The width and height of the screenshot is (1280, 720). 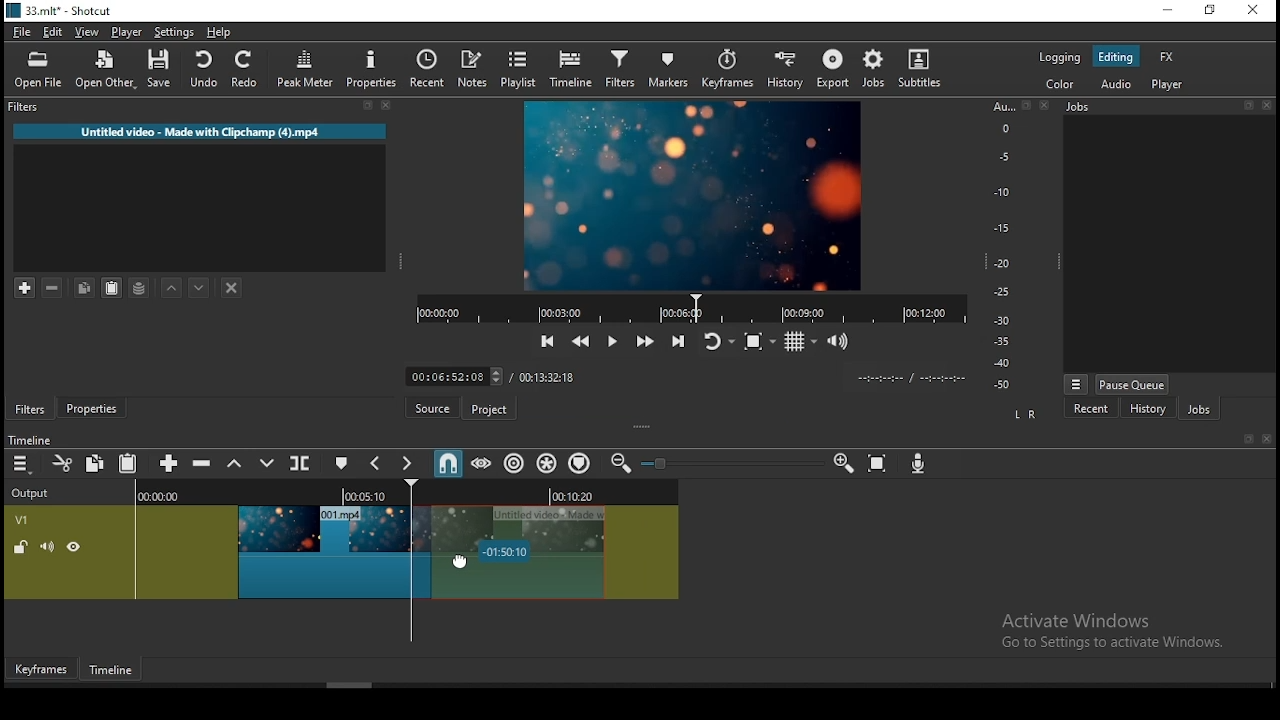 What do you see at coordinates (431, 407) in the screenshot?
I see `source` at bounding box center [431, 407].